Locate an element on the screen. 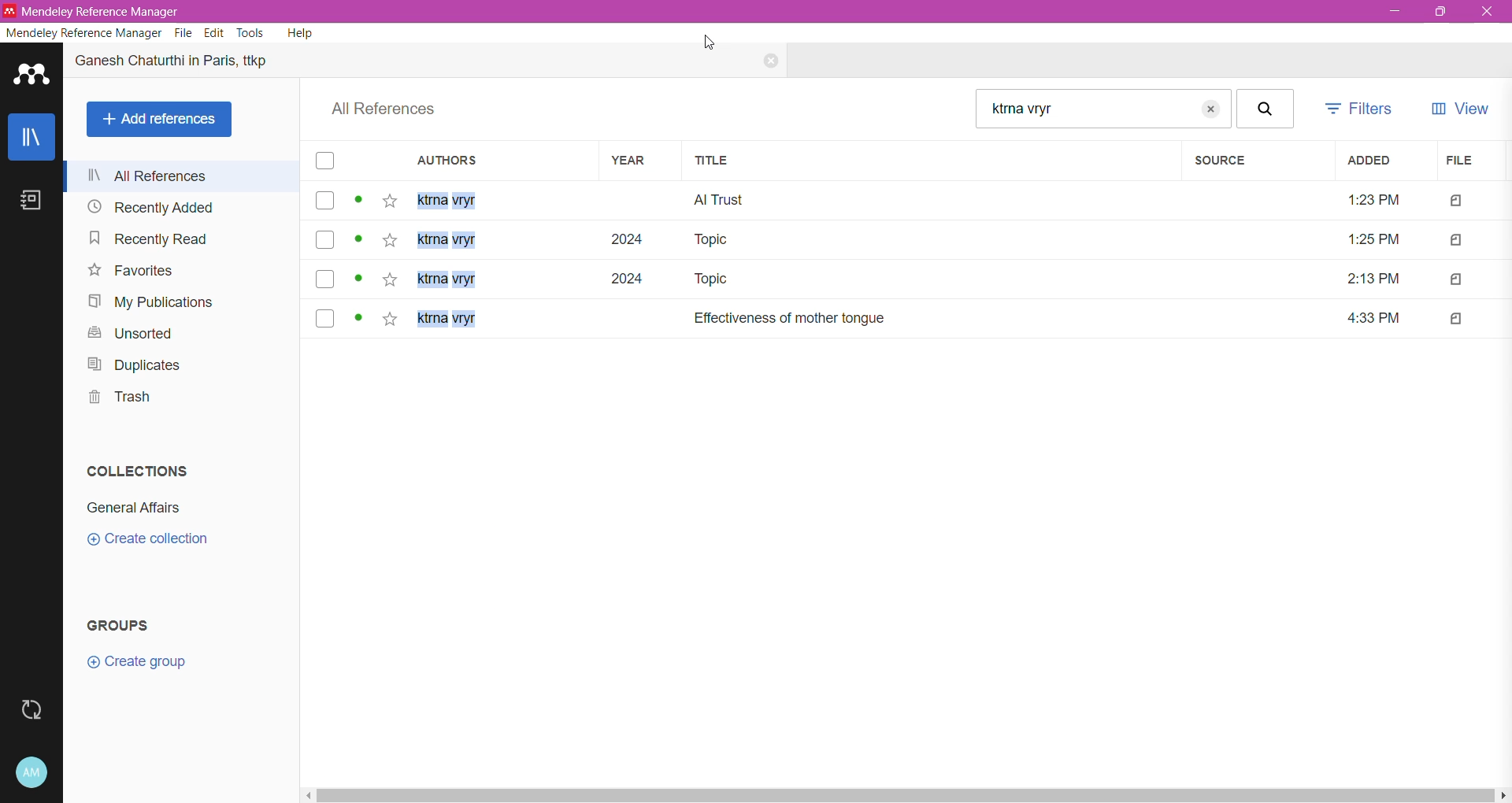 This screenshot has width=1512, height=803. Restore Down is located at coordinates (1439, 13).